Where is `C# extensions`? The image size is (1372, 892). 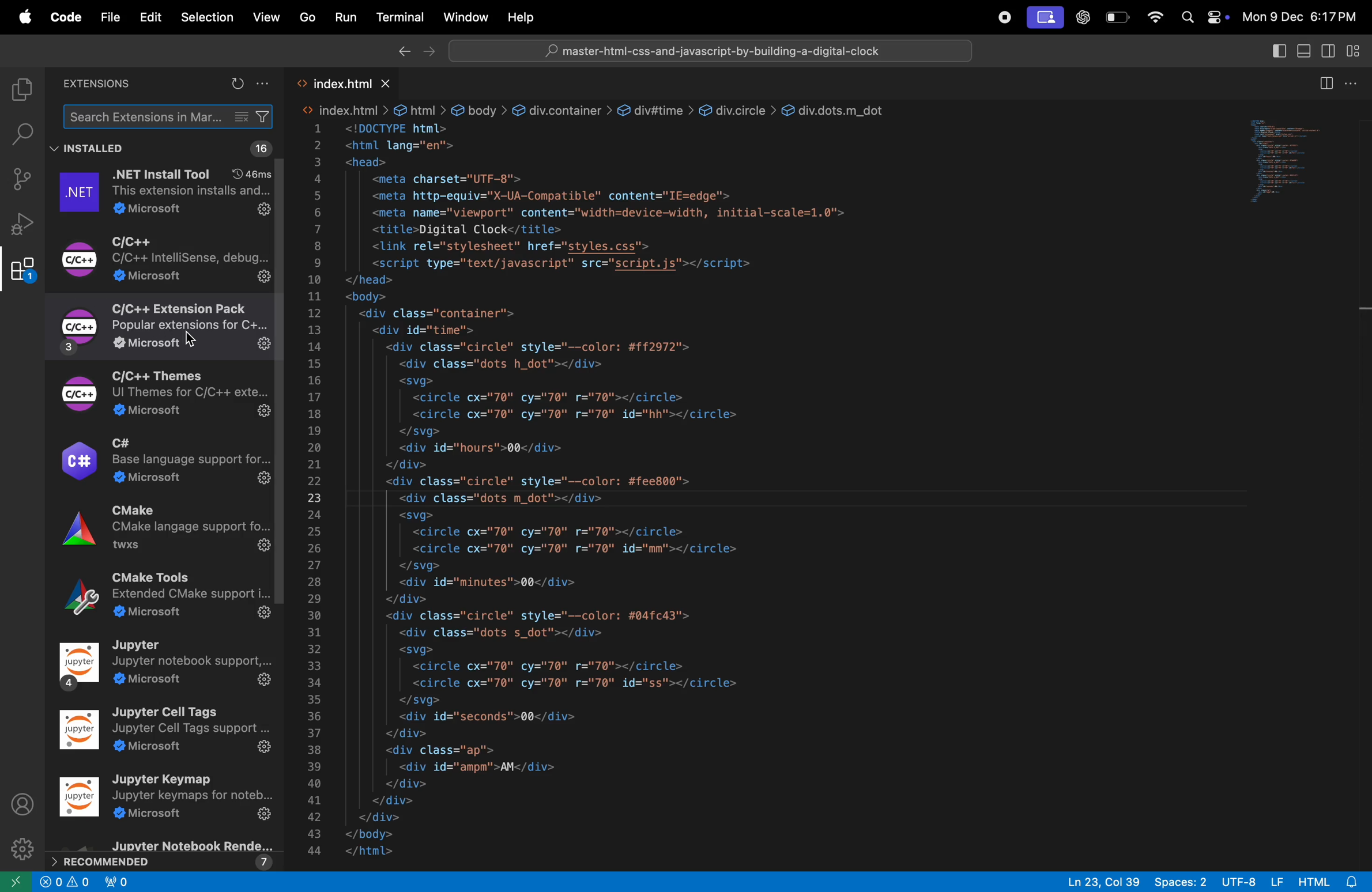 C# extensions is located at coordinates (164, 462).